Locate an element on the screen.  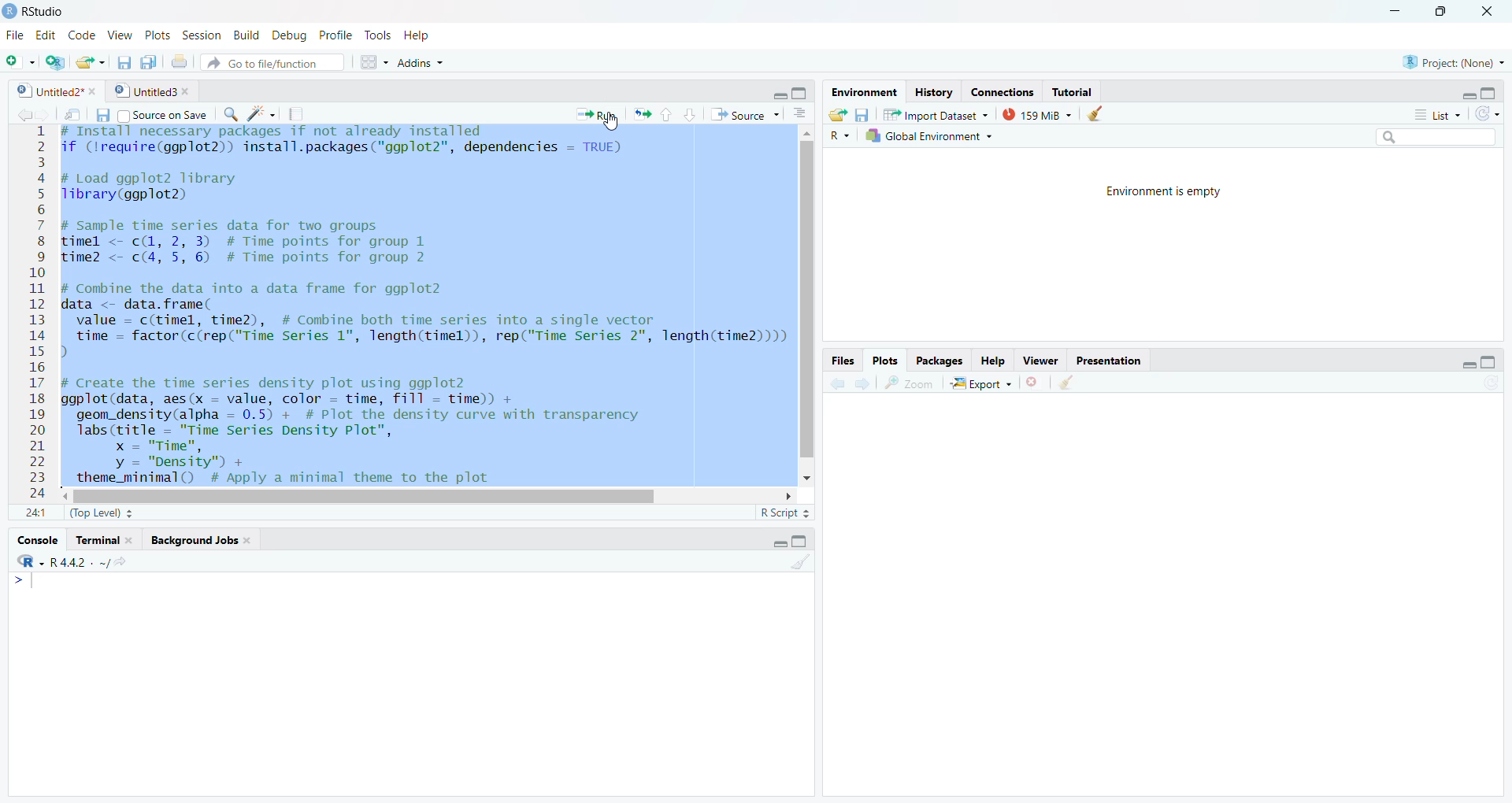
Minimize is located at coordinates (776, 542).